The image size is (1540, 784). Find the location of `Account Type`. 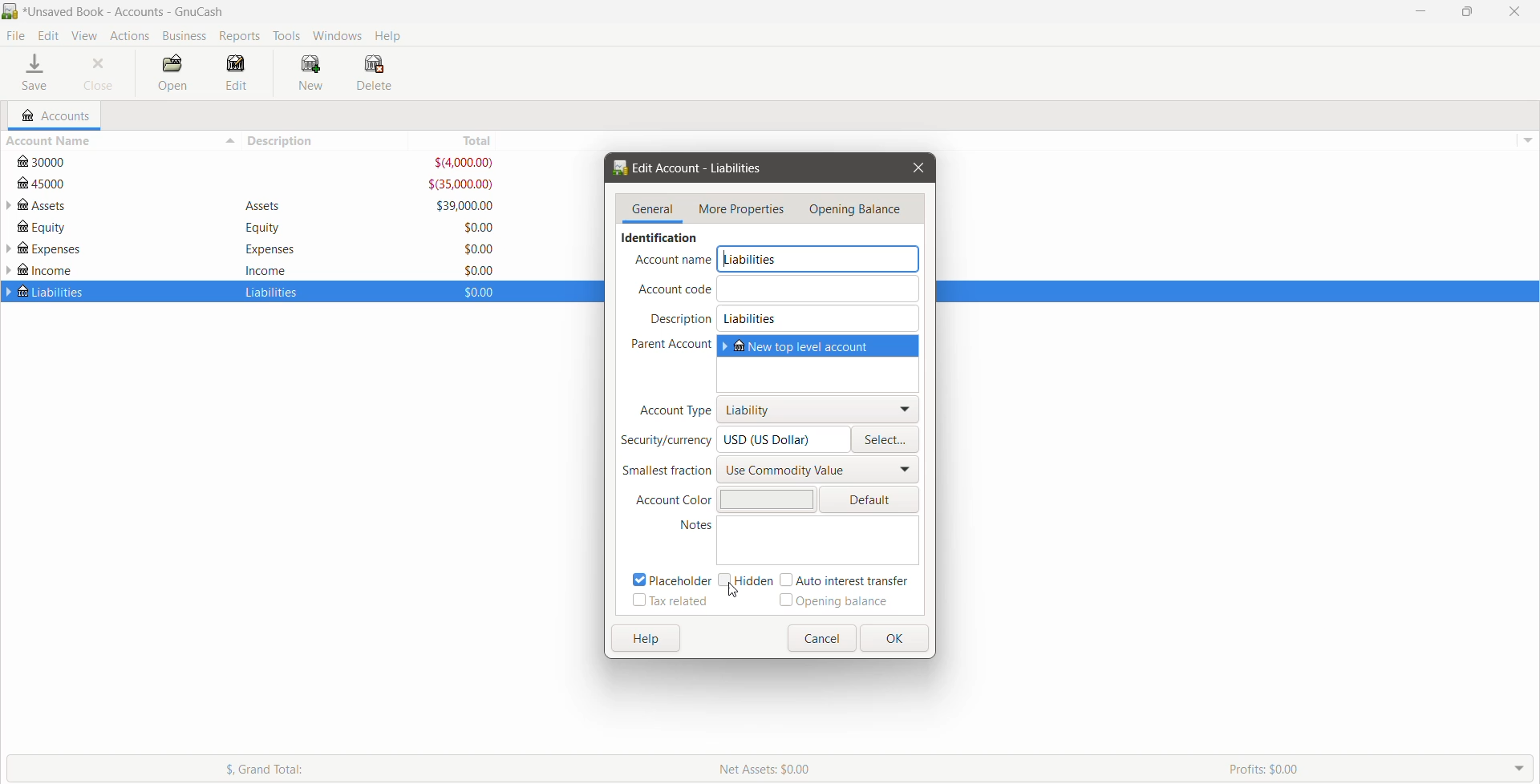

Account Type is located at coordinates (672, 410).